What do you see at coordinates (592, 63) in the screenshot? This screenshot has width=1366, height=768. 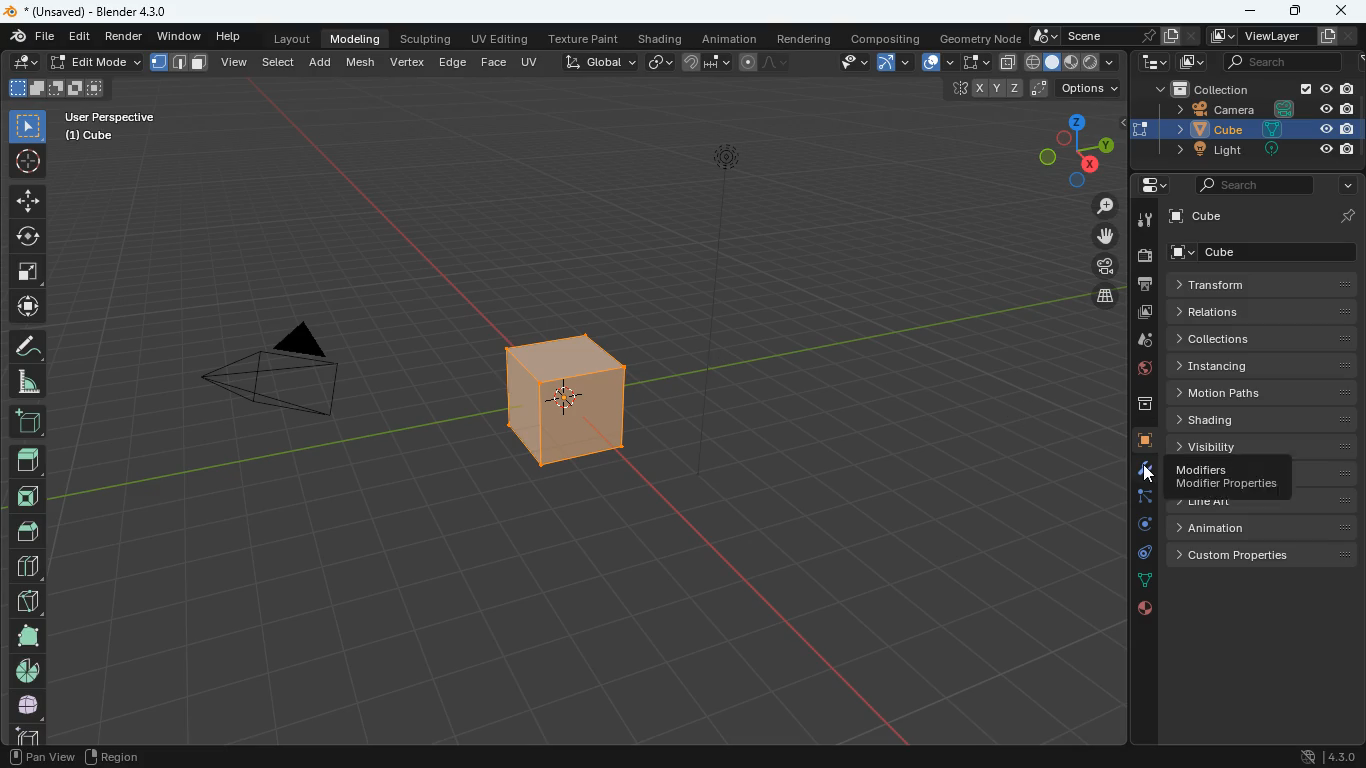 I see `global` at bounding box center [592, 63].